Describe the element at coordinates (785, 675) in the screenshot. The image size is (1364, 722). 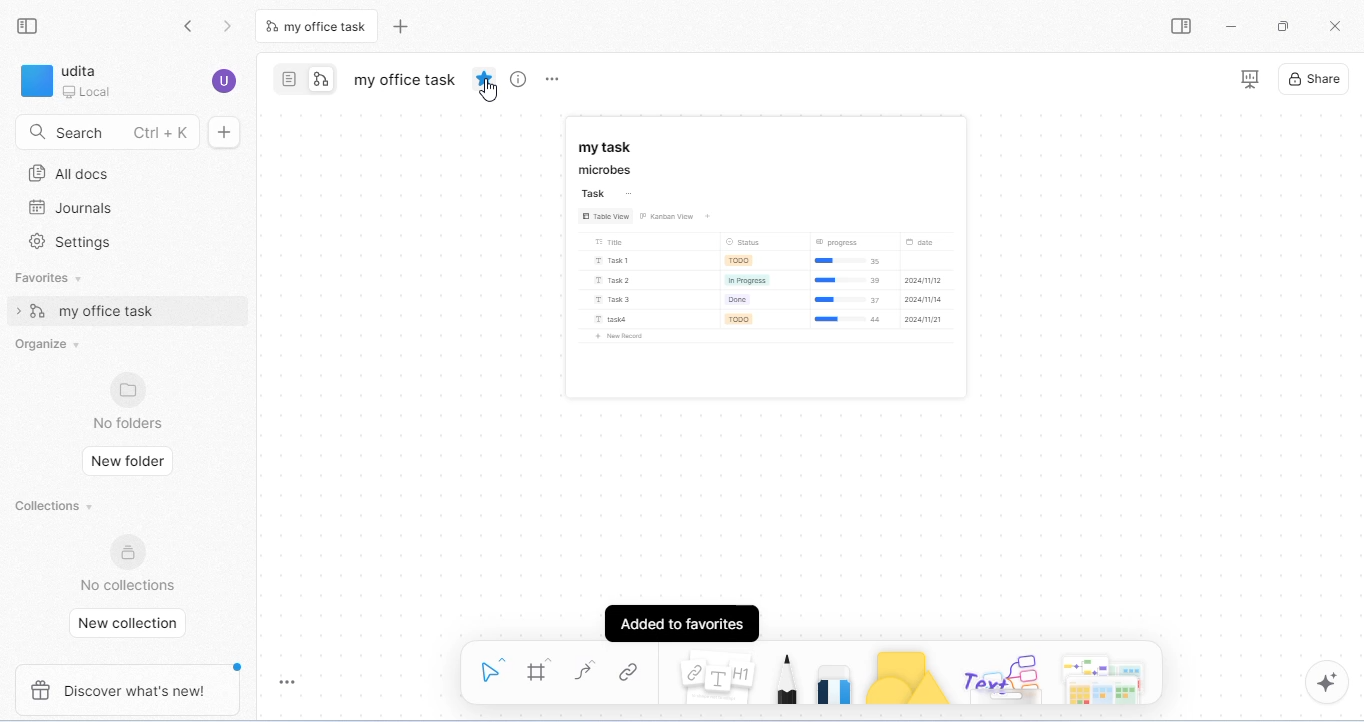
I see `pencil` at that location.